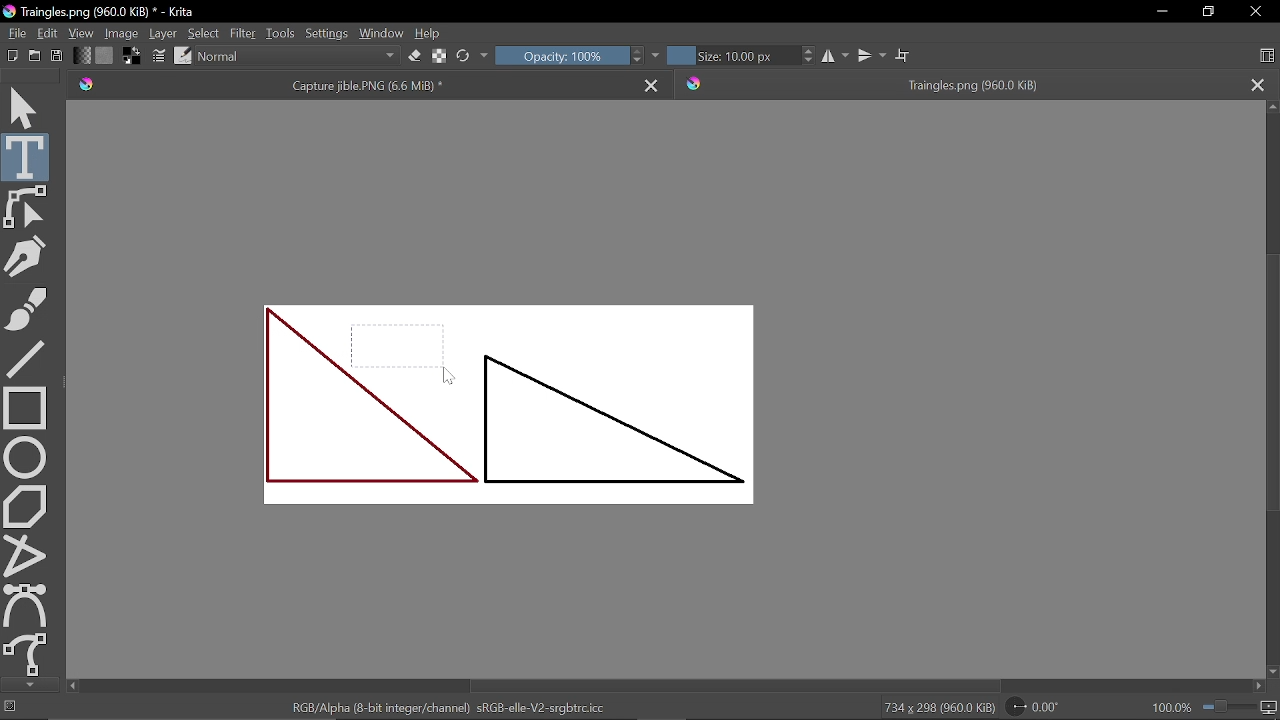  I want to click on Triangles.png (960.0 KiB), so click(117, 12).